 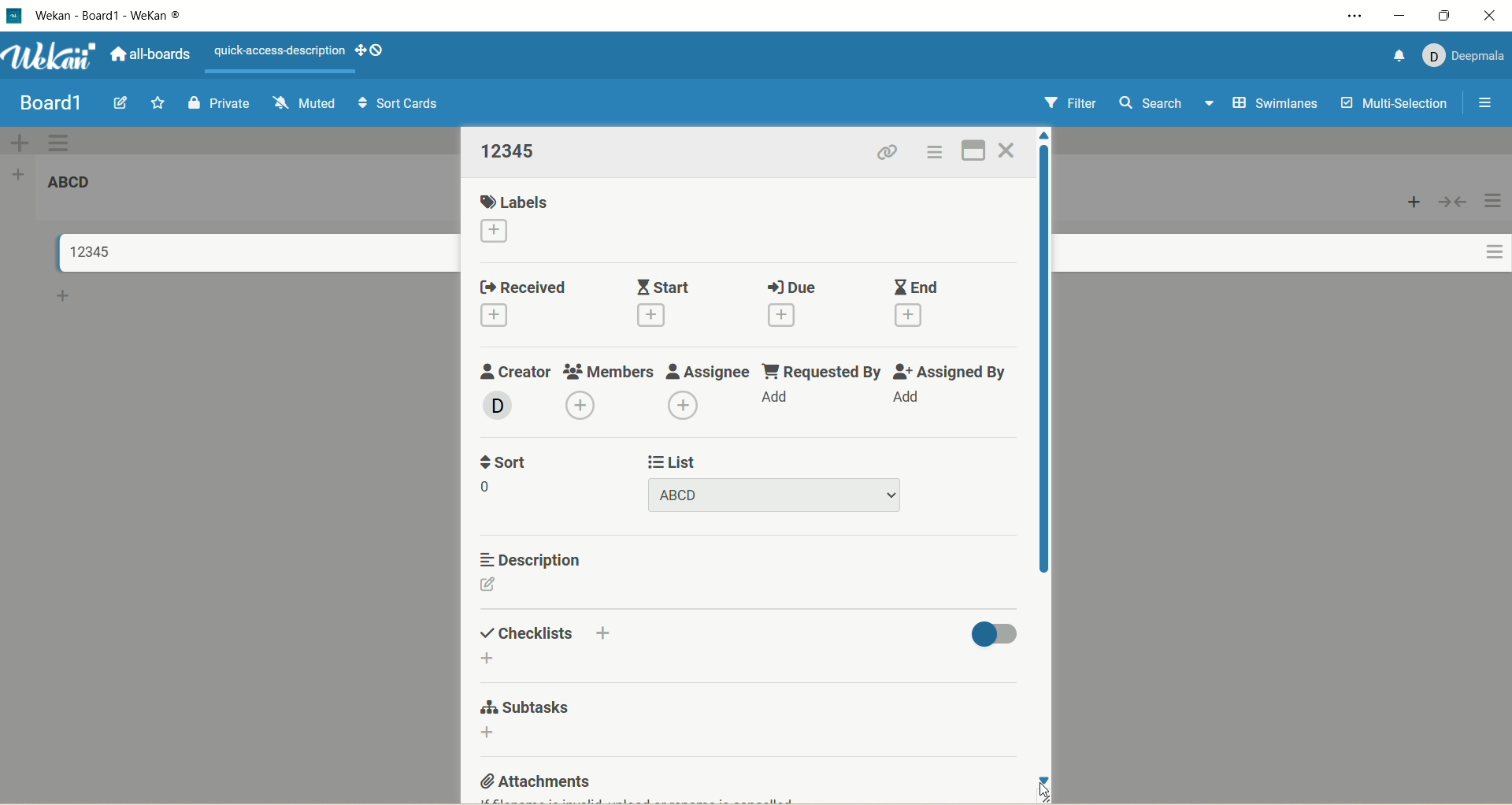 What do you see at coordinates (489, 658) in the screenshot?
I see `add` at bounding box center [489, 658].